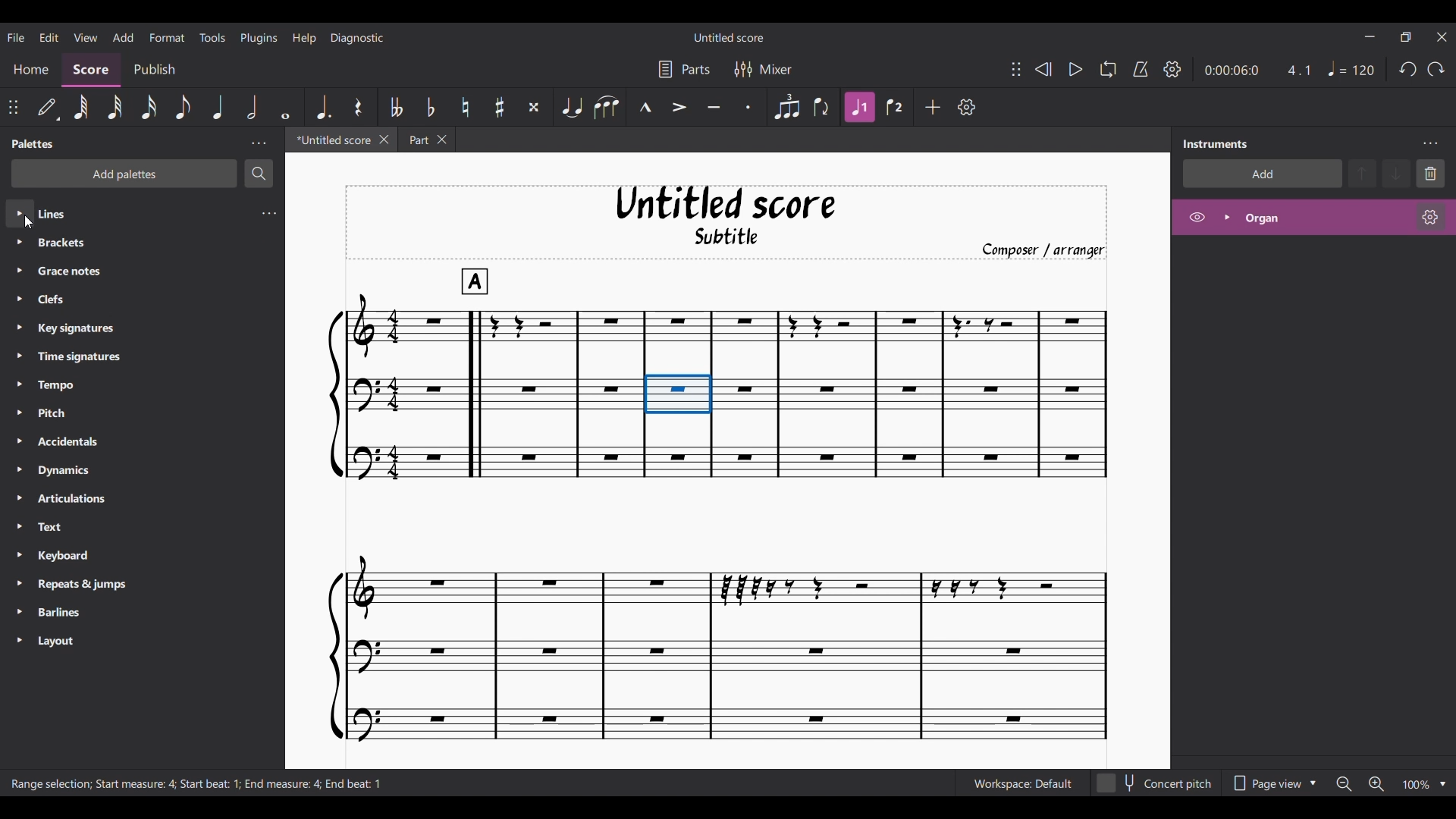 Image resolution: width=1456 pixels, height=819 pixels. I want to click on Tie, so click(572, 108).